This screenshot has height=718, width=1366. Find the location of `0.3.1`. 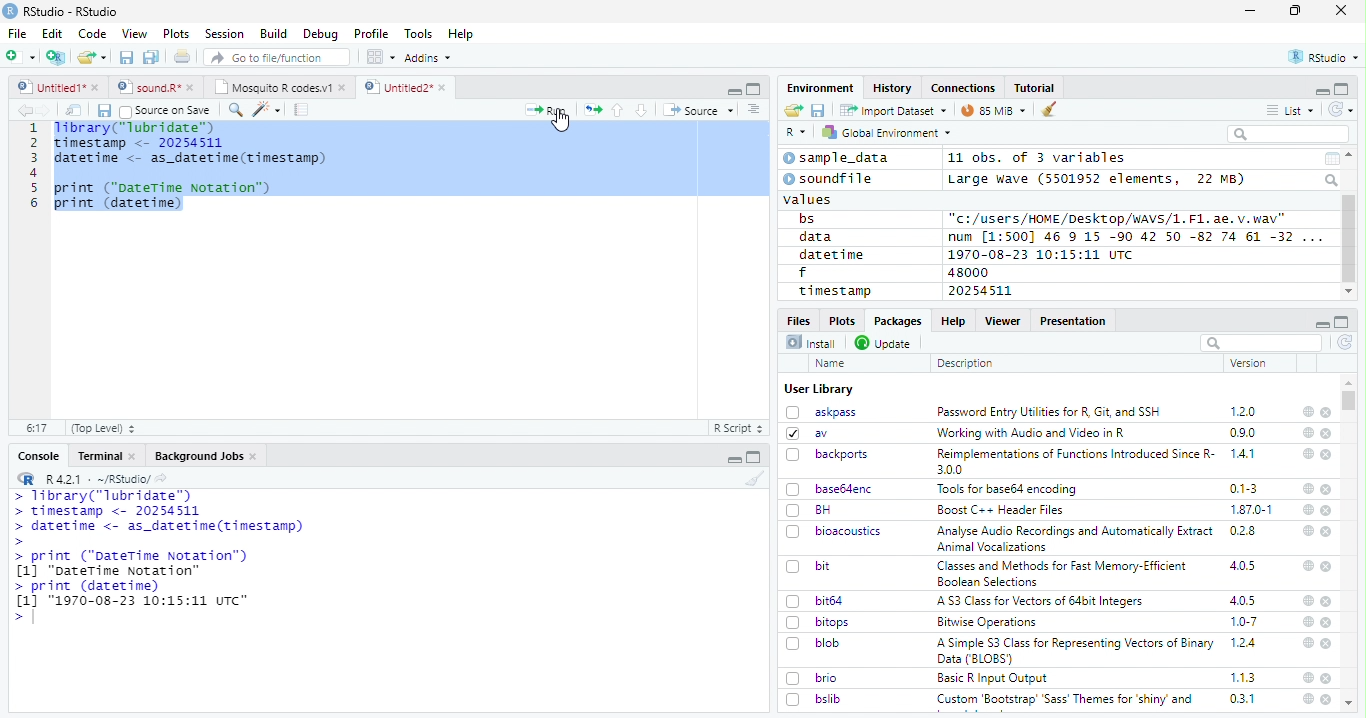

0.3.1 is located at coordinates (1242, 698).